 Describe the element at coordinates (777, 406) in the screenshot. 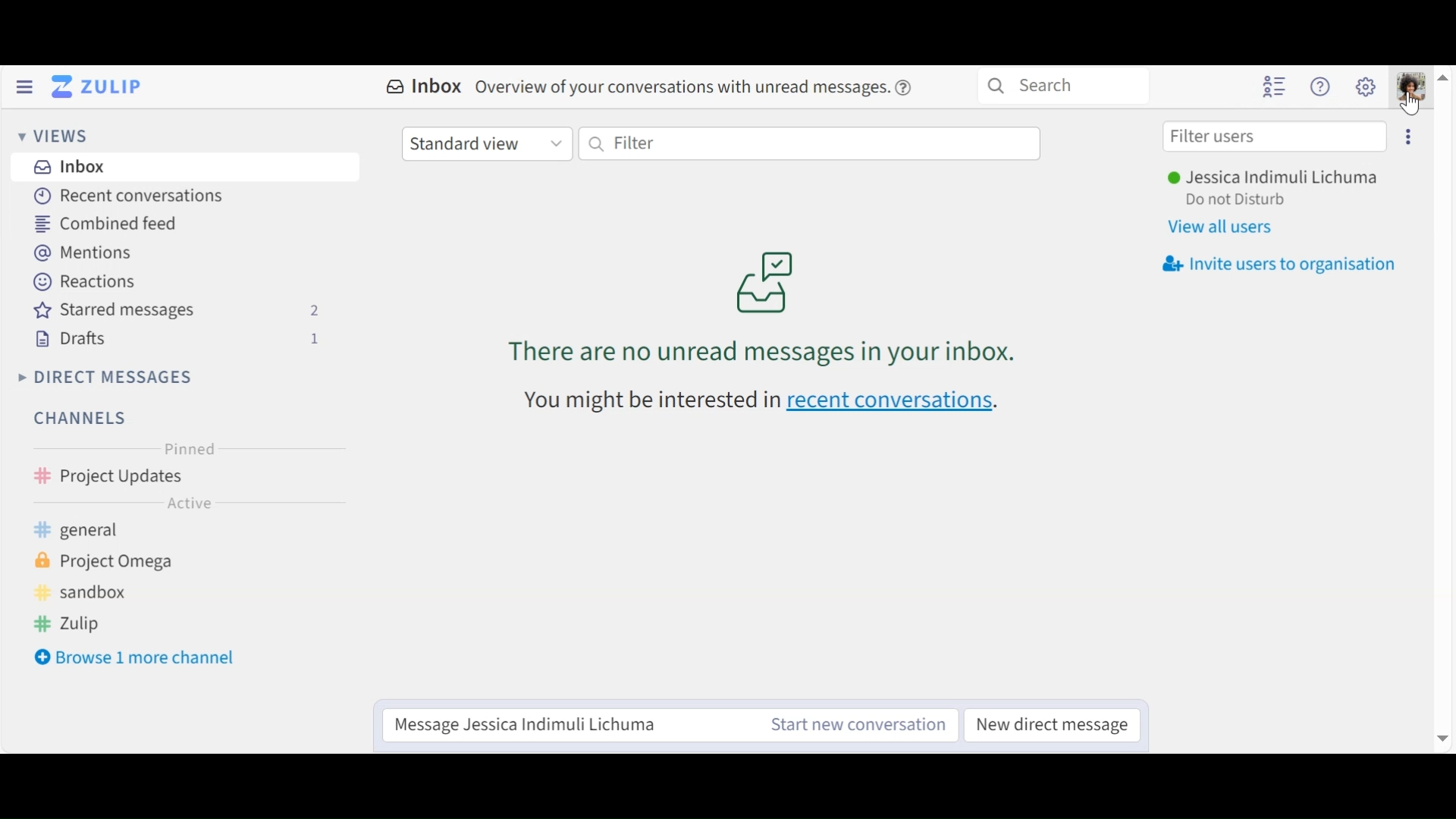

I see `You might be interested in recent conversations.` at that location.